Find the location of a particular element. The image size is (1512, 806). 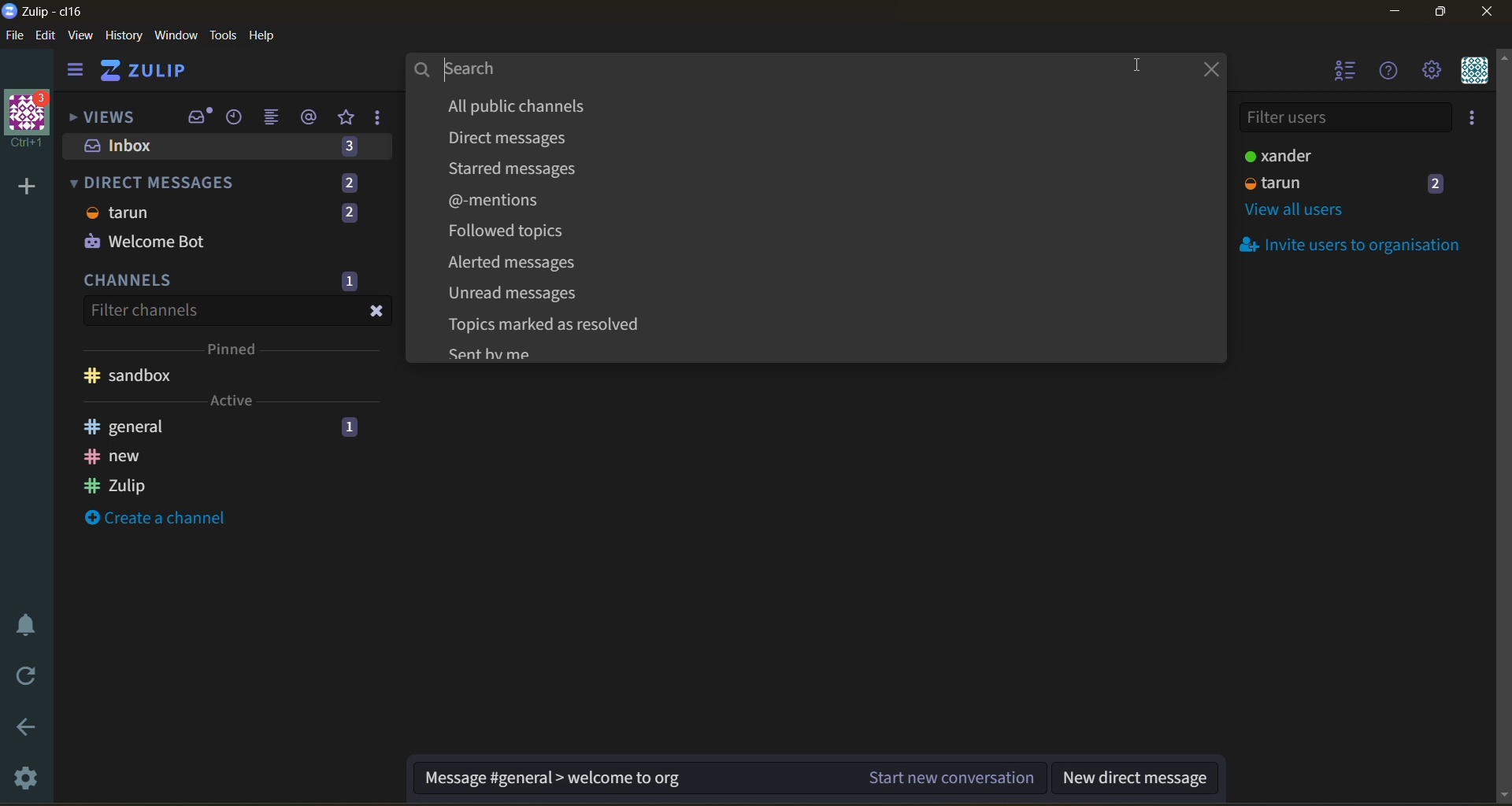

minimize is located at coordinates (1395, 12).